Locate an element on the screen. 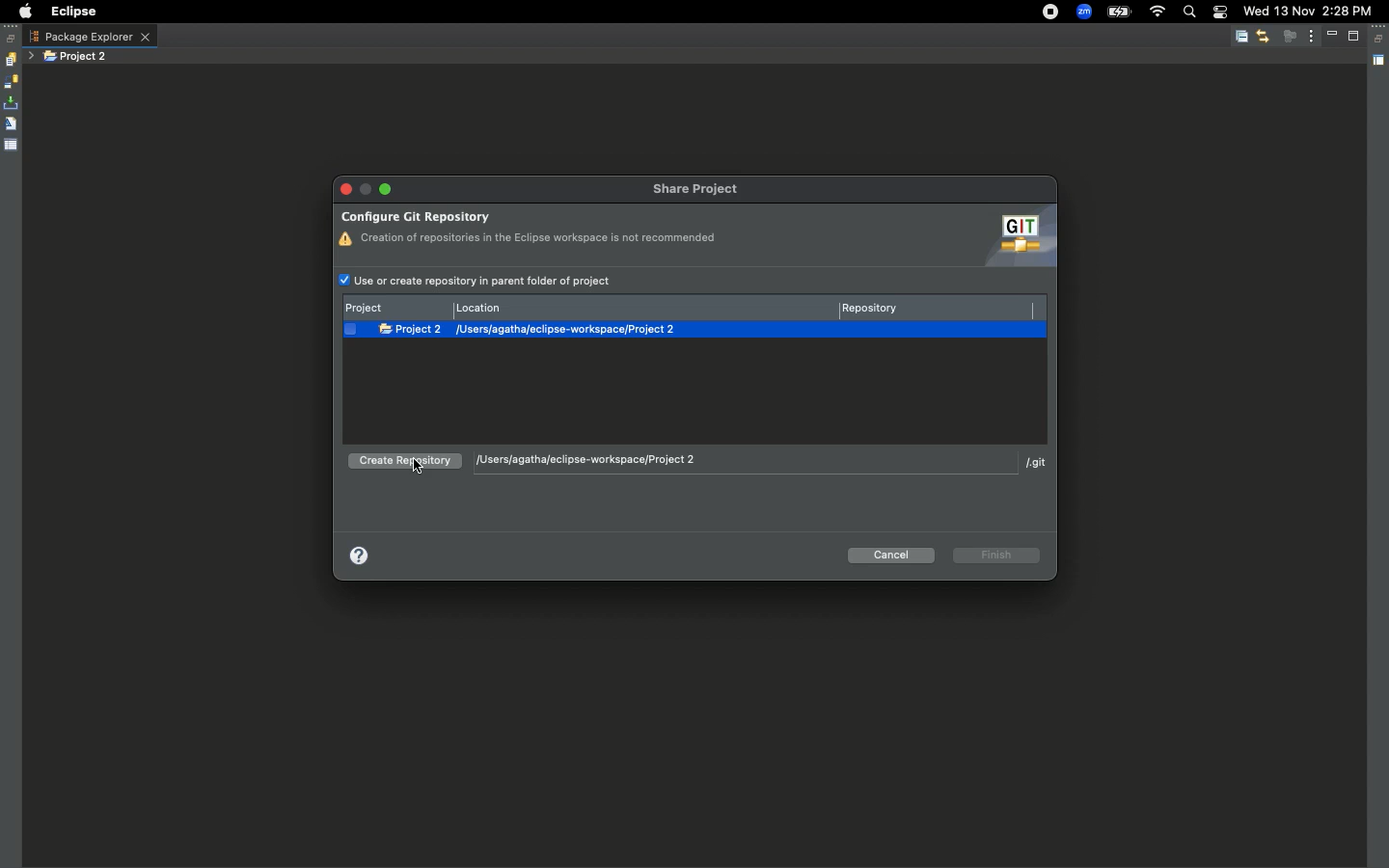 The height and width of the screenshot is (868, 1389). Configure Git Repository Creation of repositories in the Eclipse workspace is not recommended. is located at coordinates (530, 226).